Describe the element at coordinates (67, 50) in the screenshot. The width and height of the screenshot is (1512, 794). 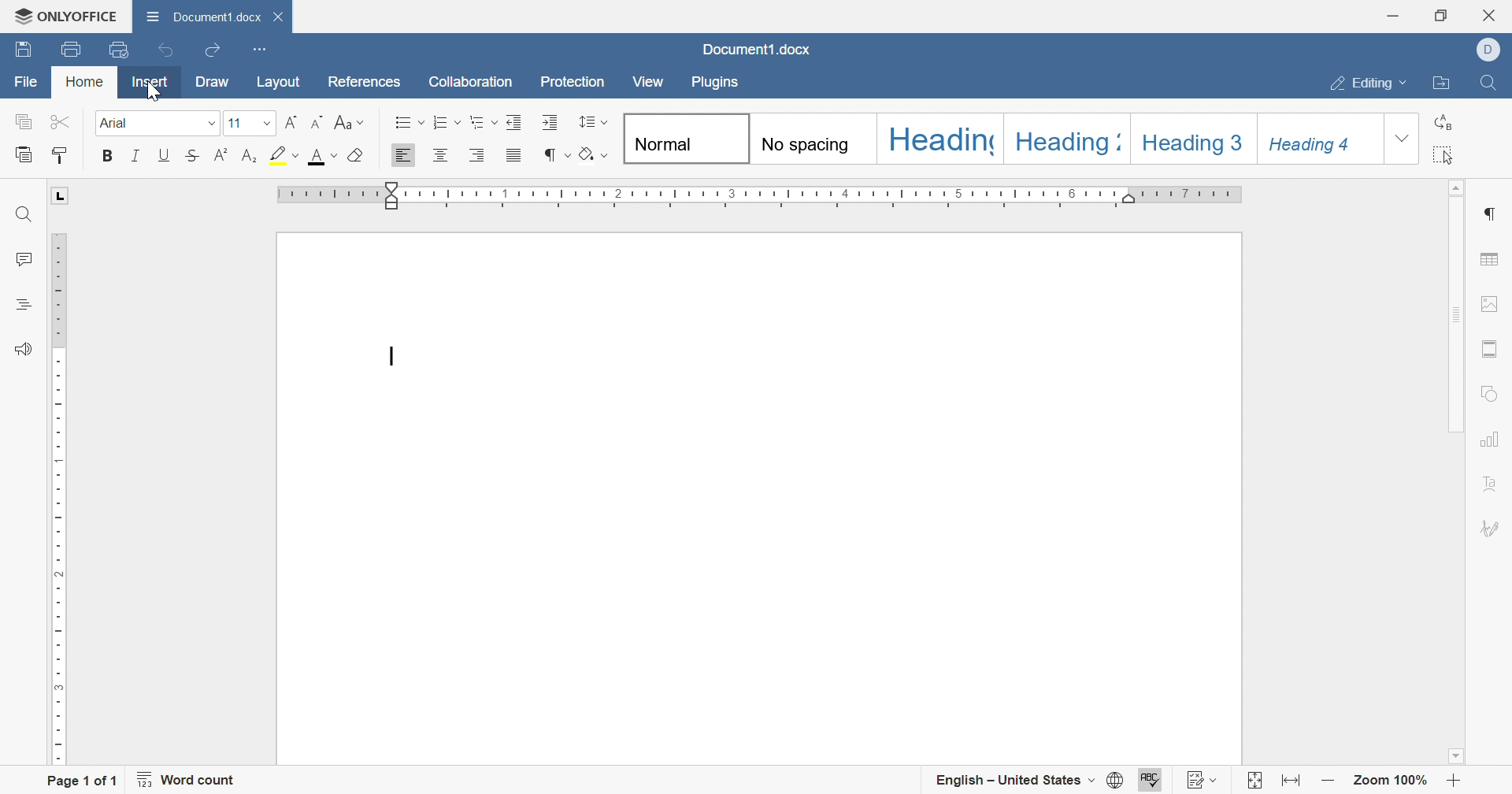
I see `Print file` at that location.